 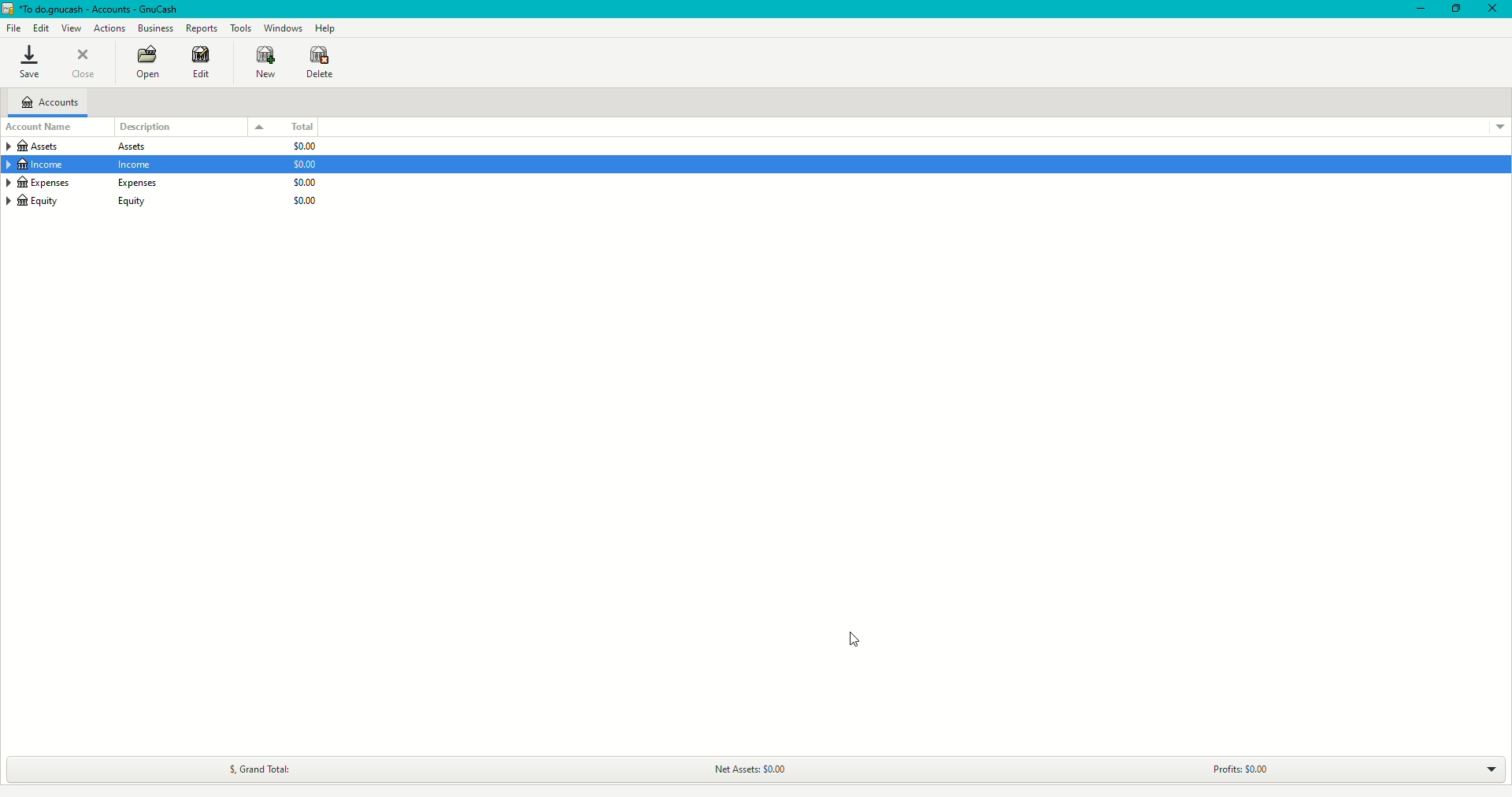 I want to click on Edit, so click(x=200, y=66).